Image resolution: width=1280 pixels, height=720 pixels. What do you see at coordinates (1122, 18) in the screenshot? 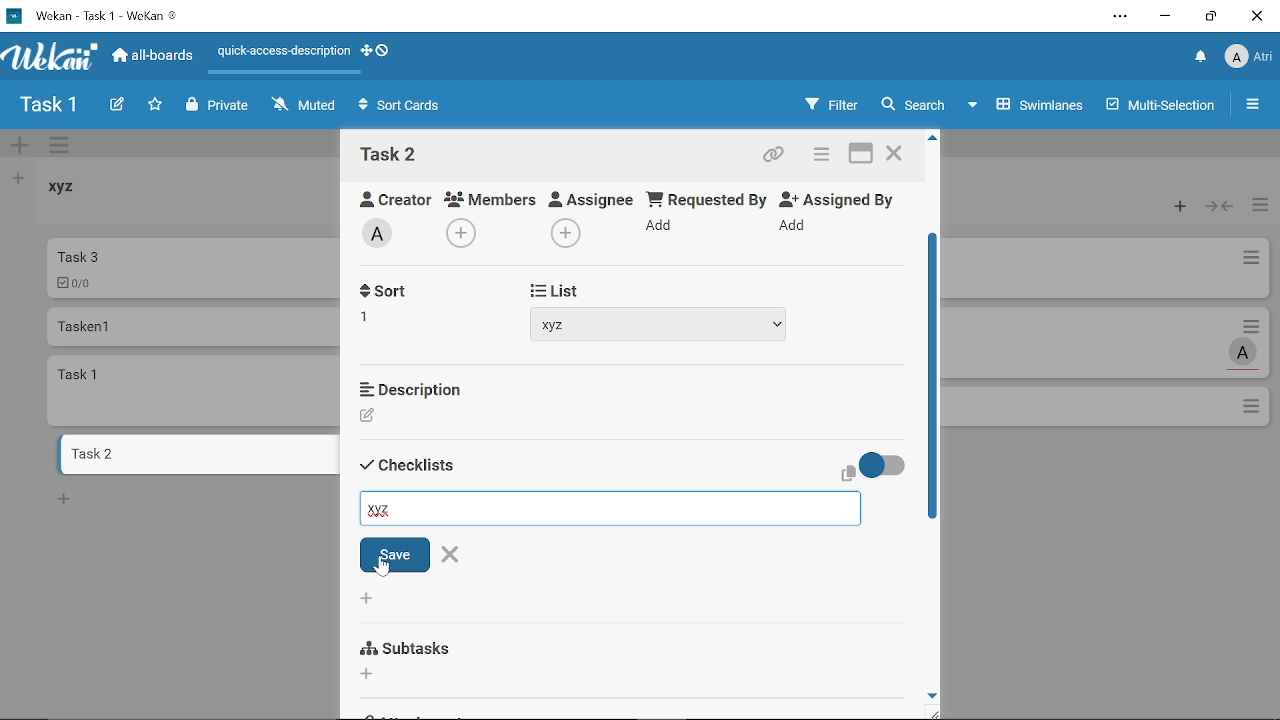
I see `Settings and other options` at bounding box center [1122, 18].